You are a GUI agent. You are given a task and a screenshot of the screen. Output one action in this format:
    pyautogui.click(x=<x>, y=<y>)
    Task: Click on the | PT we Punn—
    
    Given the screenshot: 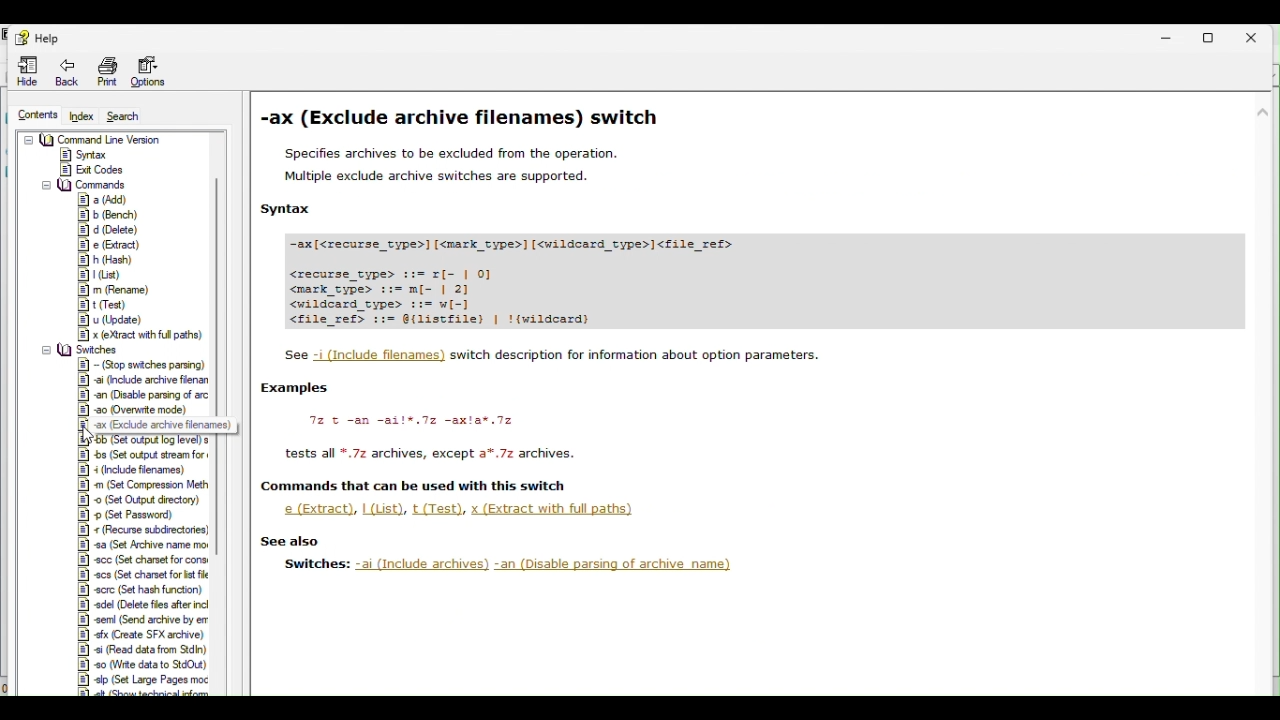 What is the action you would take?
    pyautogui.click(x=145, y=543)
    